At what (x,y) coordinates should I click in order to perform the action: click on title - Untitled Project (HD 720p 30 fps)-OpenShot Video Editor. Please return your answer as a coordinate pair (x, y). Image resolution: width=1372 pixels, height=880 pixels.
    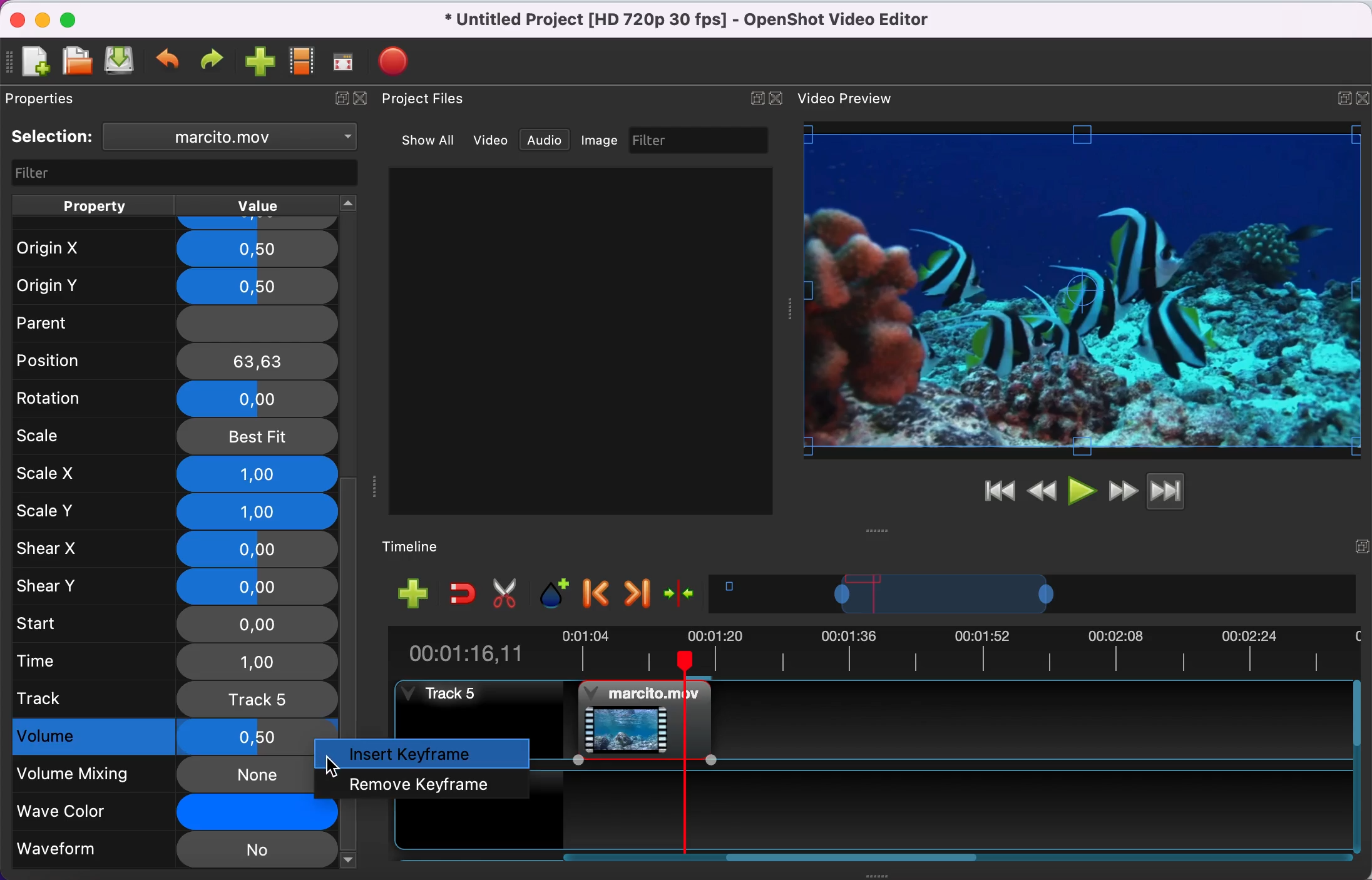
    Looking at the image, I should click on (707, 22).